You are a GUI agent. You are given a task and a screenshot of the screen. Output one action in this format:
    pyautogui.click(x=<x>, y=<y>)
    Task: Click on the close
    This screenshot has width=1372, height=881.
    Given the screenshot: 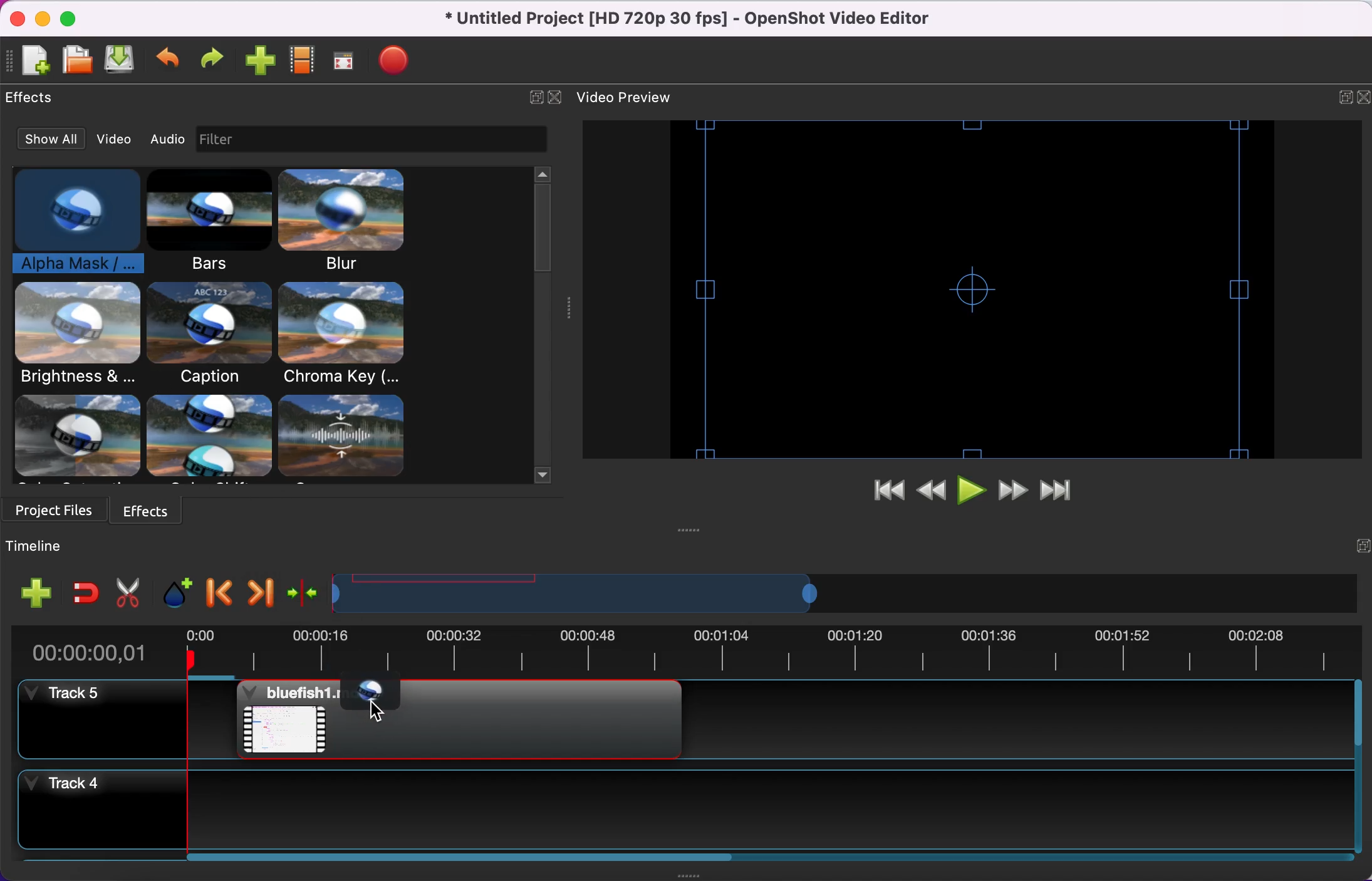 What is the action you would take?
    pyautogui.click(x=556, y=100)
    